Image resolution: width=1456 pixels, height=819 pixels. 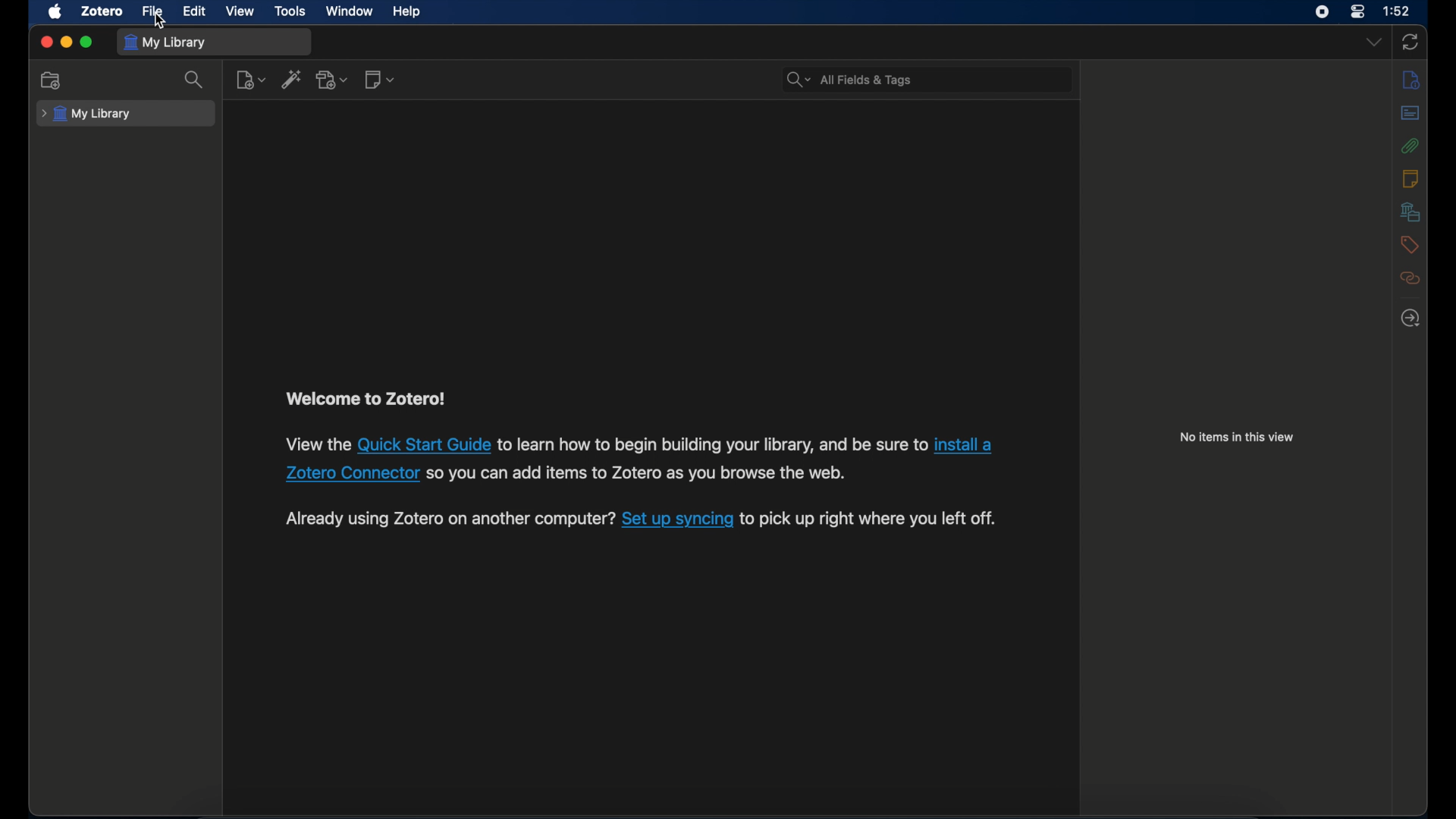 I want to click on search, so click(x=196, y=80).